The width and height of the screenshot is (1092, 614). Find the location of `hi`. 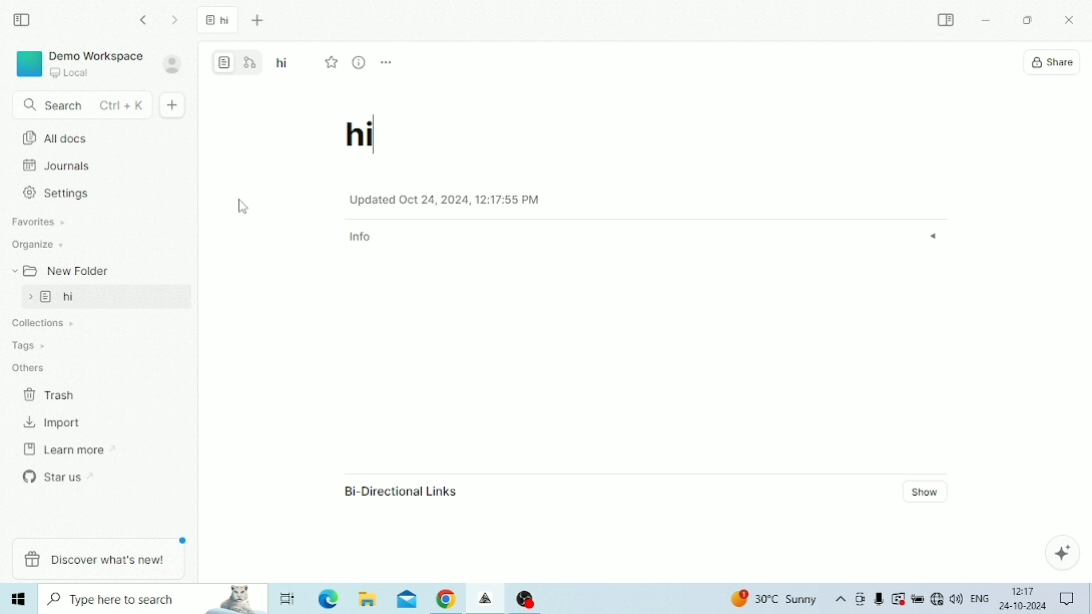

hi is located at coordinates (218, 22).